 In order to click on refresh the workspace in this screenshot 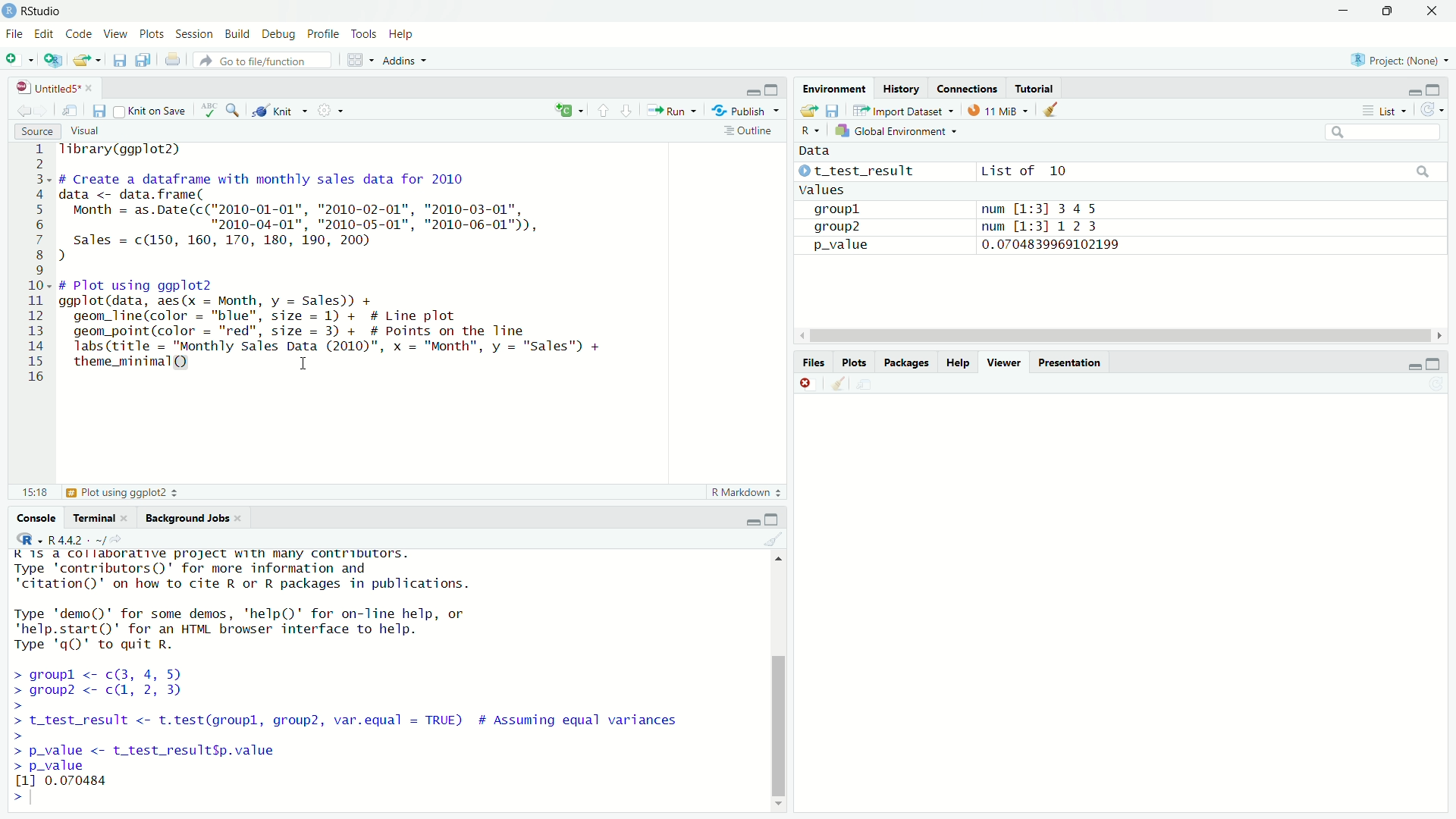, I will do `click(1432, 111)`.